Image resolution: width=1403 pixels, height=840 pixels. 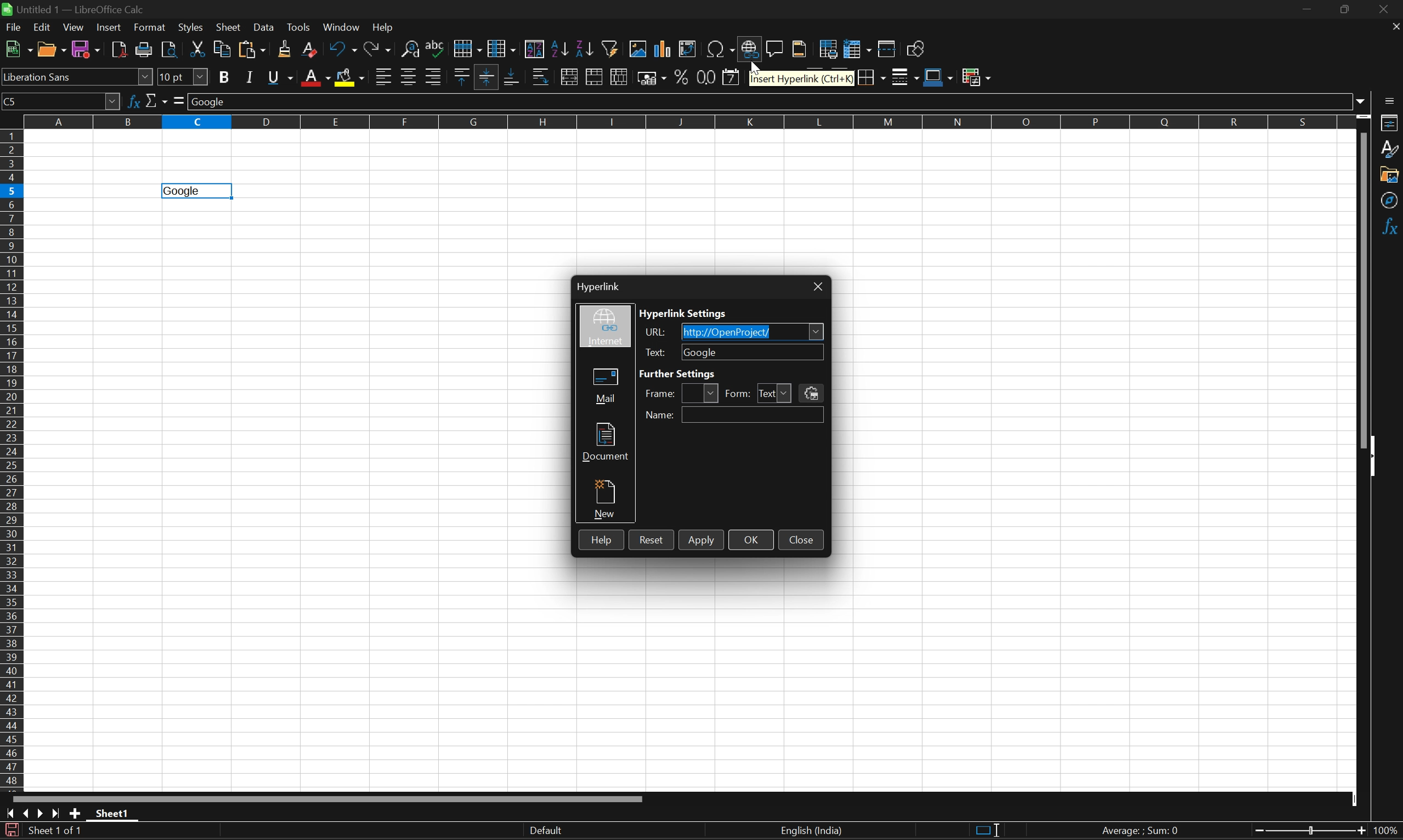 I want to click on Clear direct formatting, so click(x=311, y=51).